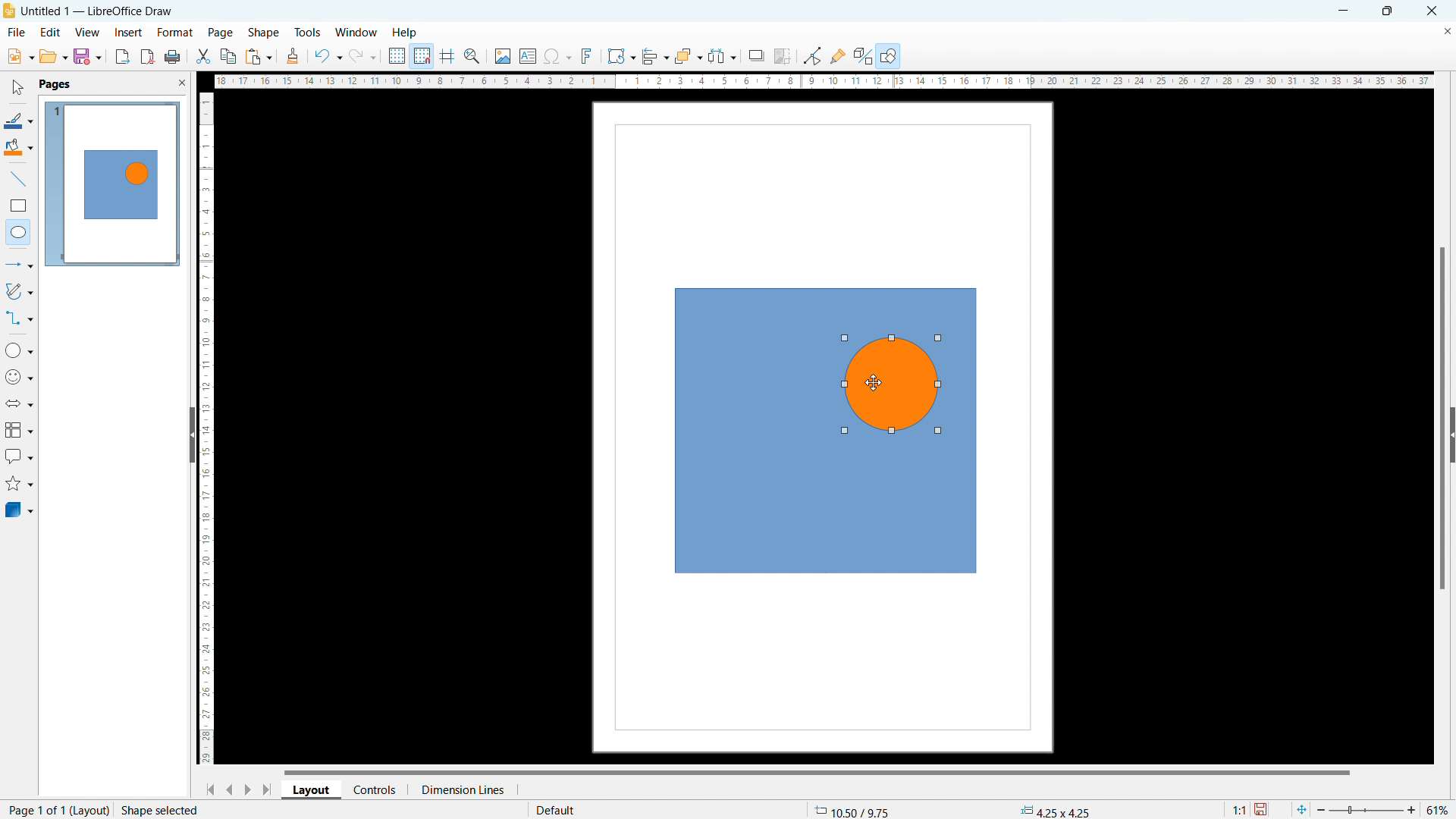 This screenshot has width=1456, height=819. What do you see at coordinates (1443, 420) in the screenshot?
I see `vertical scrollbar` at bounding box center [1443, 420].